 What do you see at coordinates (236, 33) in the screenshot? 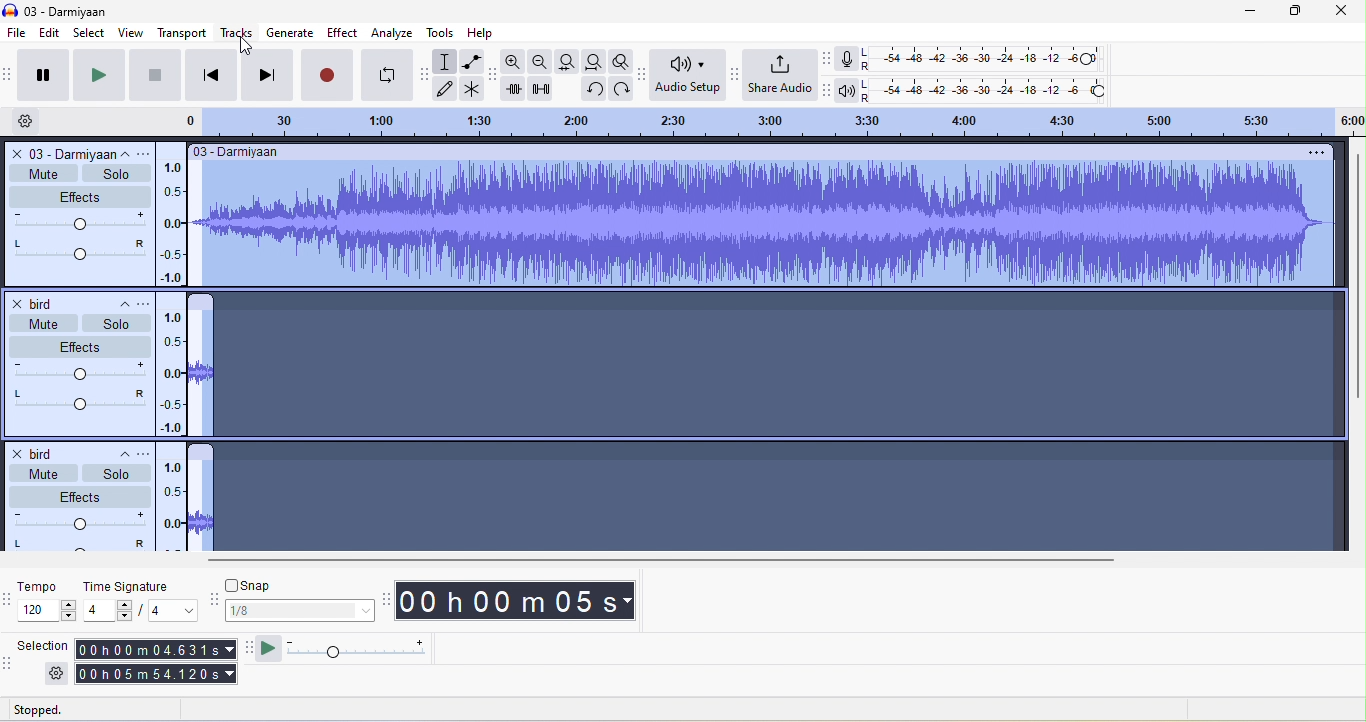
I see `tracks` at bounding box center [236, 33].